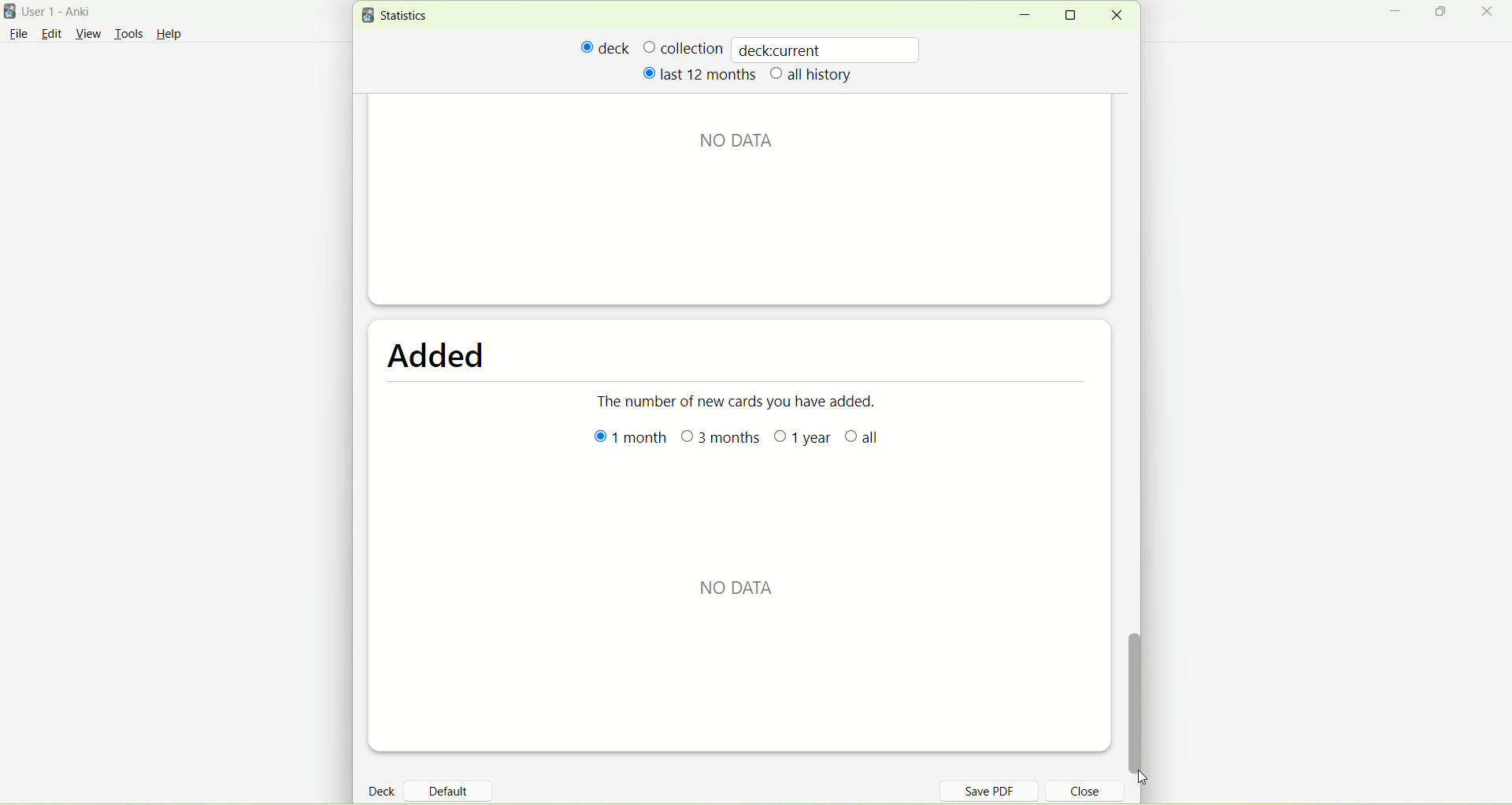 This screenshot has width=1512, height=805. Describe the element at coordinates (624, 443) in the screenshot. I see `1 month` at that location.